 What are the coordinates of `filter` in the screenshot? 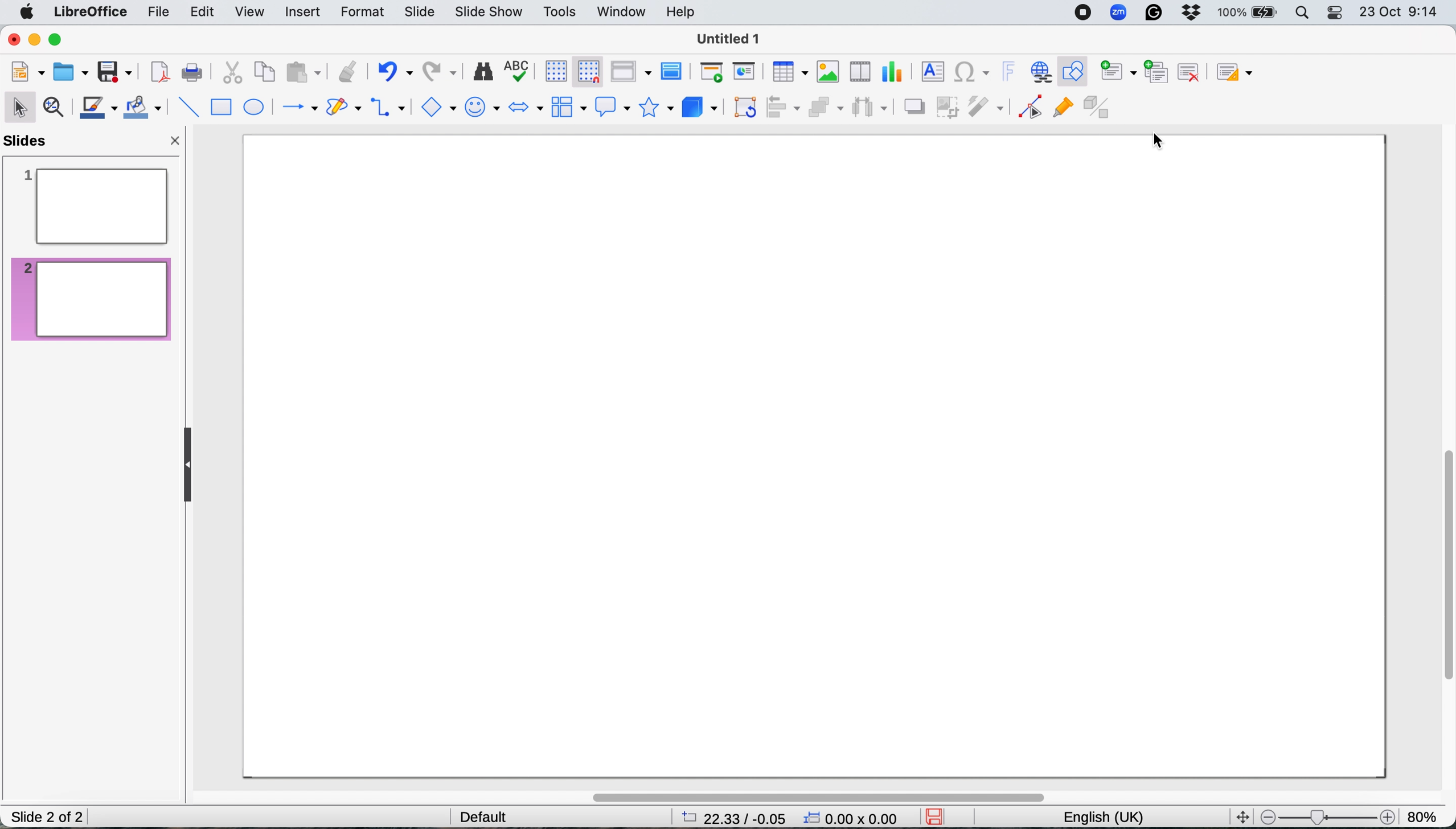 It's located at (984, 106).